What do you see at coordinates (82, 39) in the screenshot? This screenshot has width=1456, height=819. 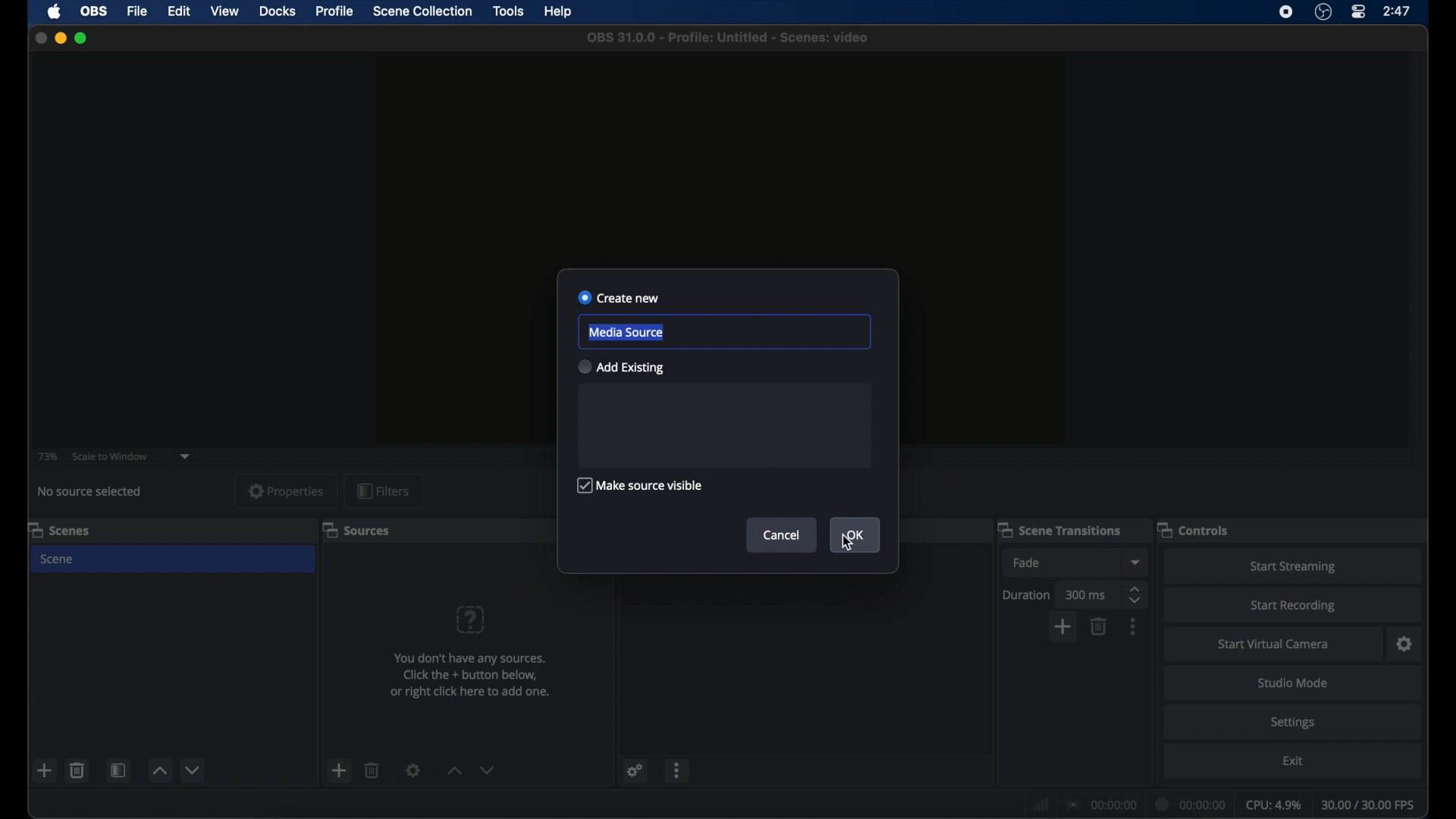 I see `maximize` at bounding box center [82, 39].